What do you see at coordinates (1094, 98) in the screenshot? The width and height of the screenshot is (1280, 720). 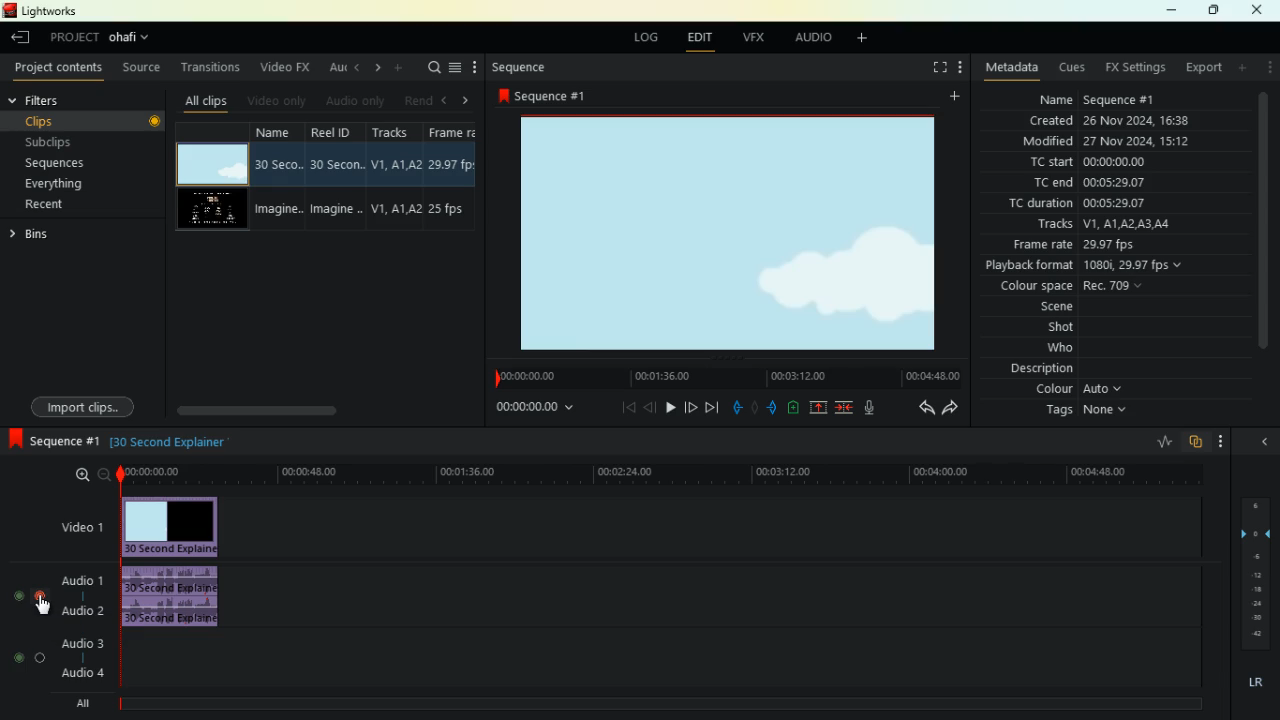 I see `name` at bounding box center [1094, 98].